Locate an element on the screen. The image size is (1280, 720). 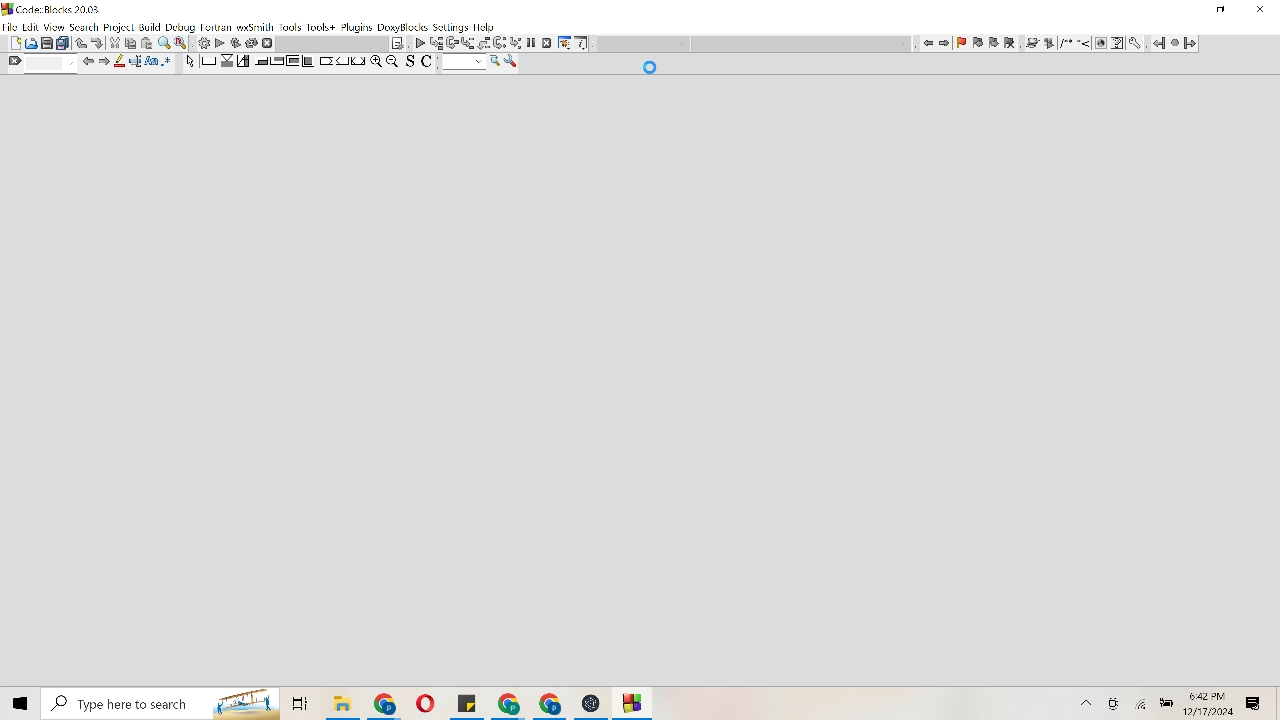
Replace is located at coordinates (182, 43).